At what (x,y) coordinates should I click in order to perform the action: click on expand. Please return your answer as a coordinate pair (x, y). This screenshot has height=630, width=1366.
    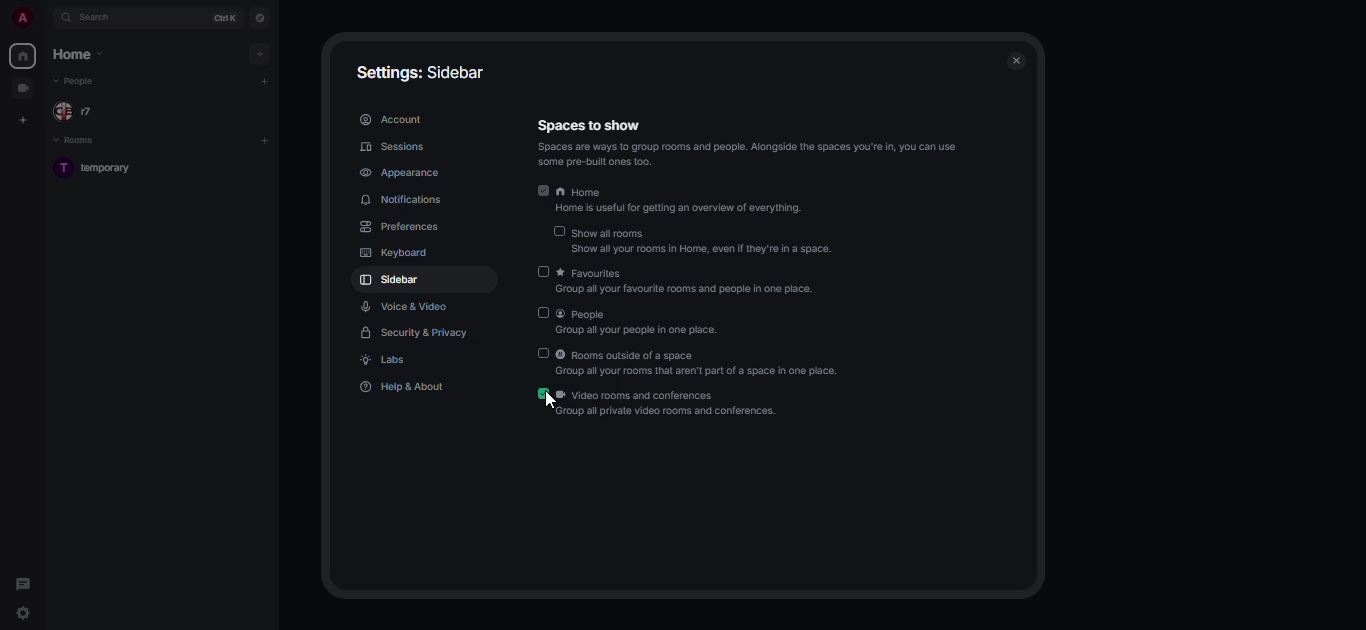
    Looking at the image, I should click on (45, 17).